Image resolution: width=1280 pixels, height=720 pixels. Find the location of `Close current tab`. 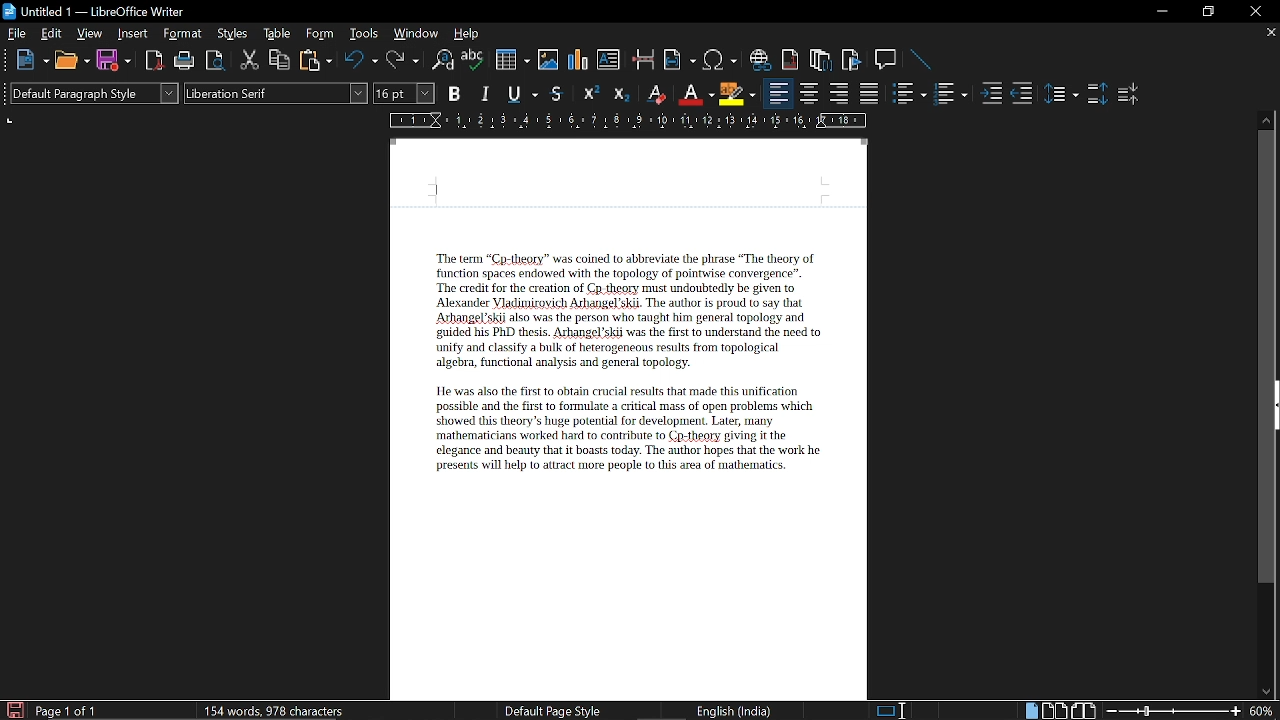

Close current tab is located at coordinates (1268, 33).